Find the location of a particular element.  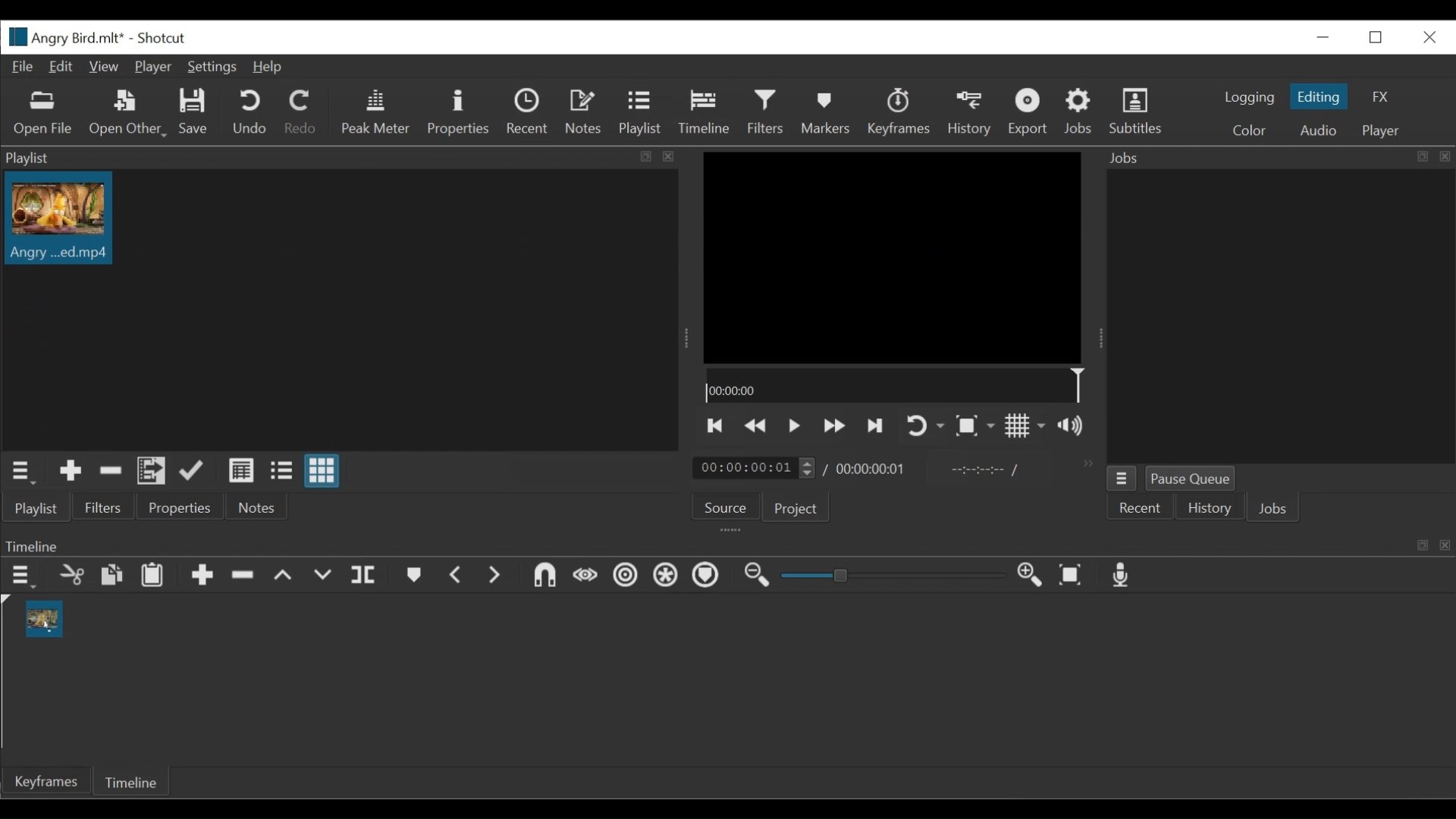

Notes is located at coordinates (582, 113).